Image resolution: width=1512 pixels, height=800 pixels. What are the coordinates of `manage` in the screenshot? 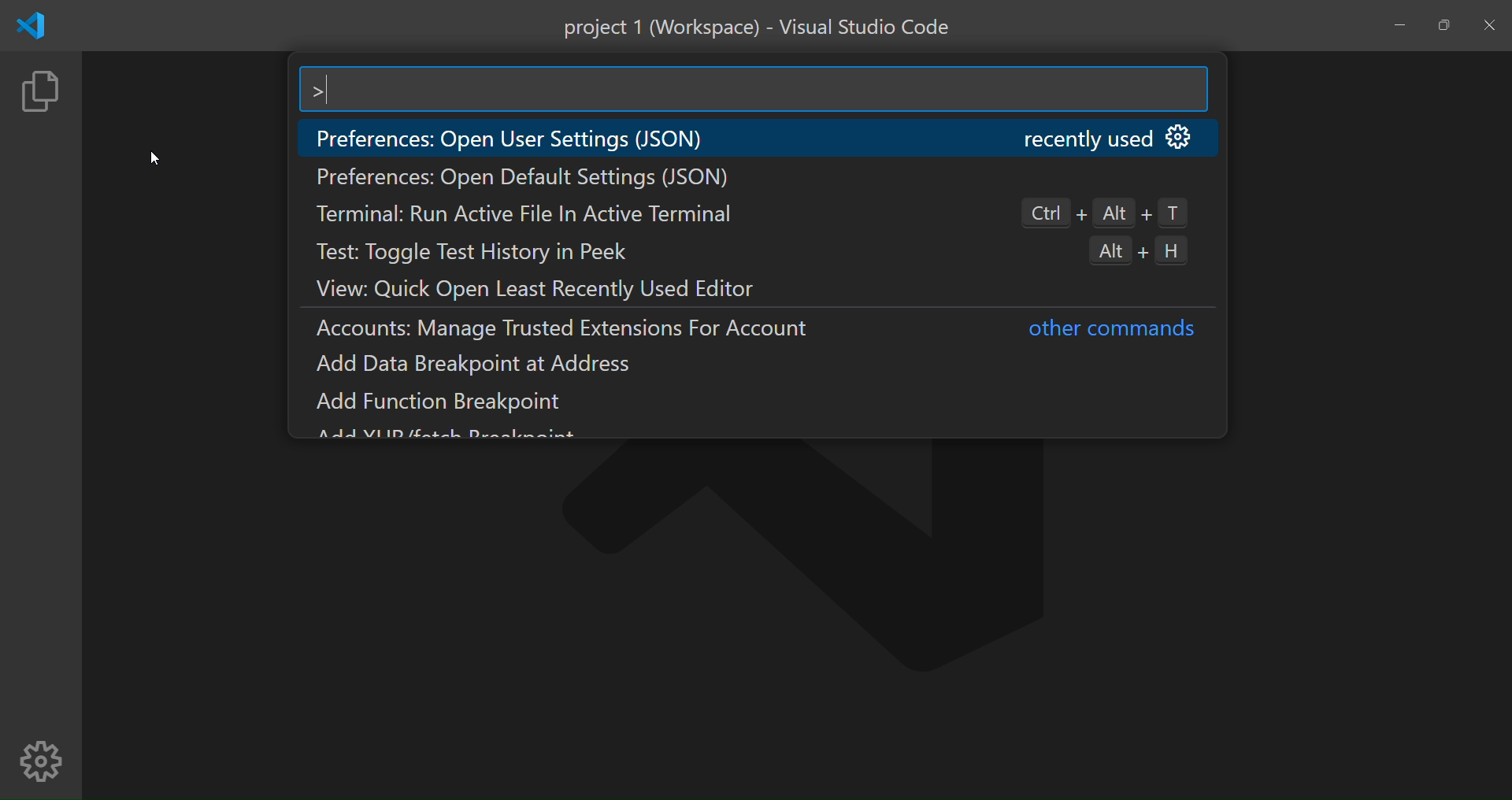 It's located at (41, 761).